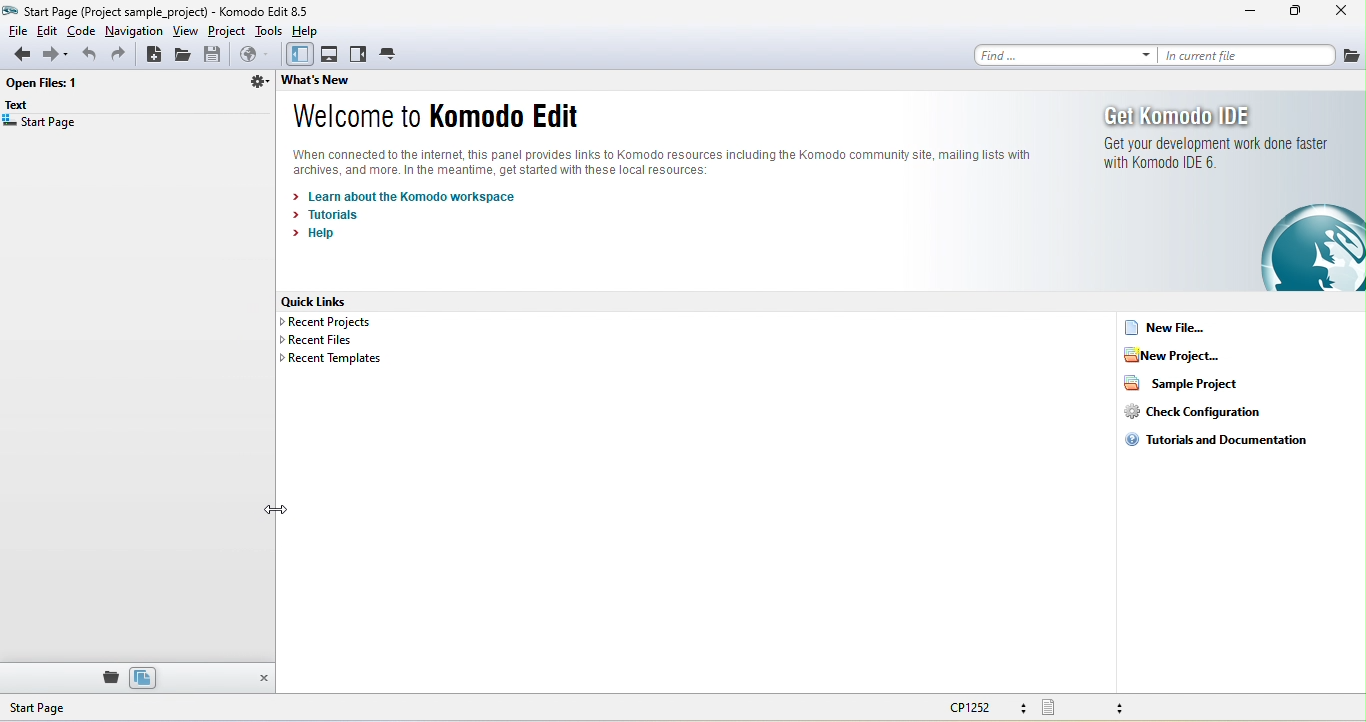  Describe the element at coordinates (1191, 327) in the screenshot. I see `new file` at that location.